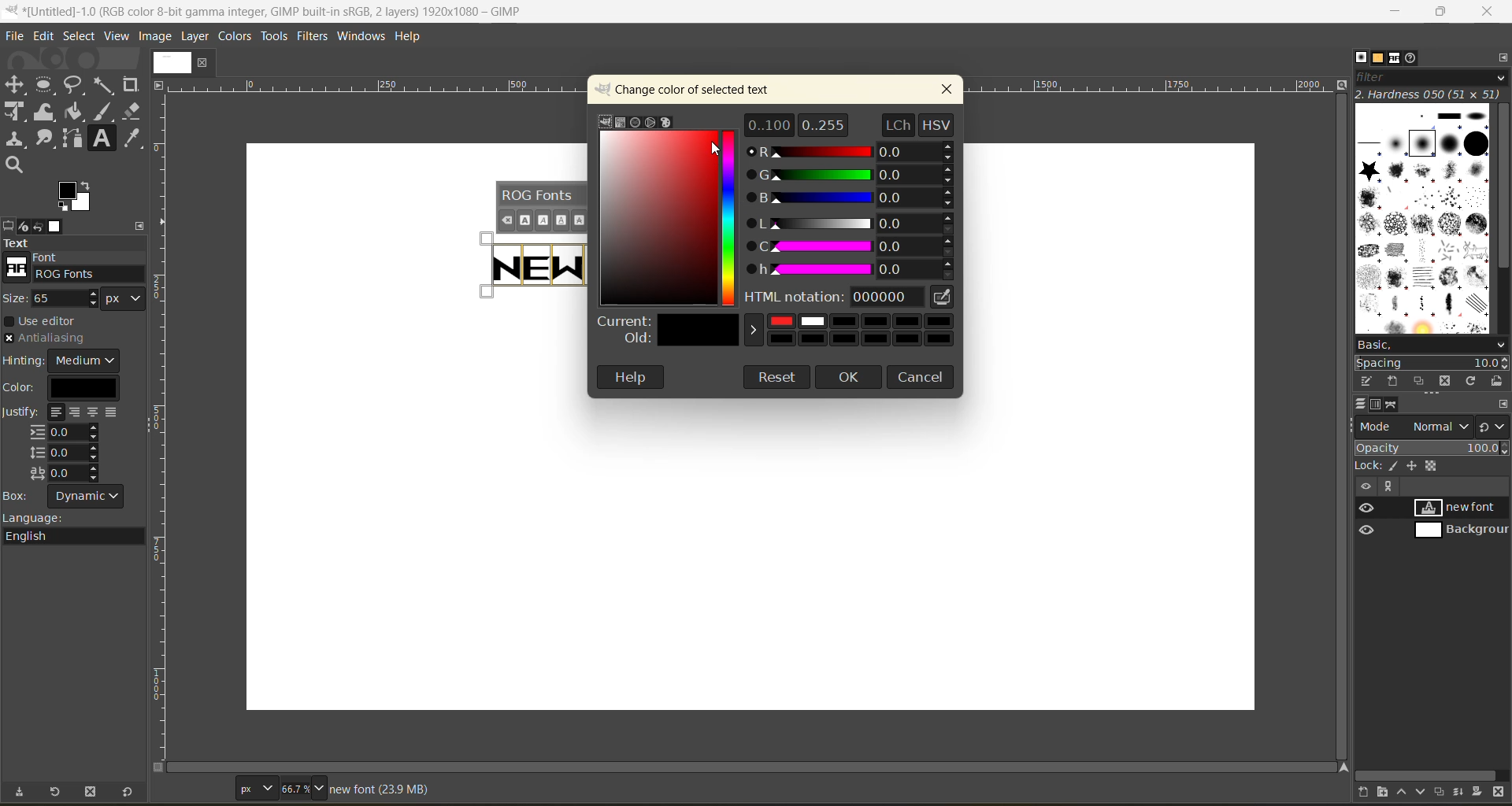  Describe the element at coordinates (618, 123) in the screenshot. I see `cmyk` at that location.